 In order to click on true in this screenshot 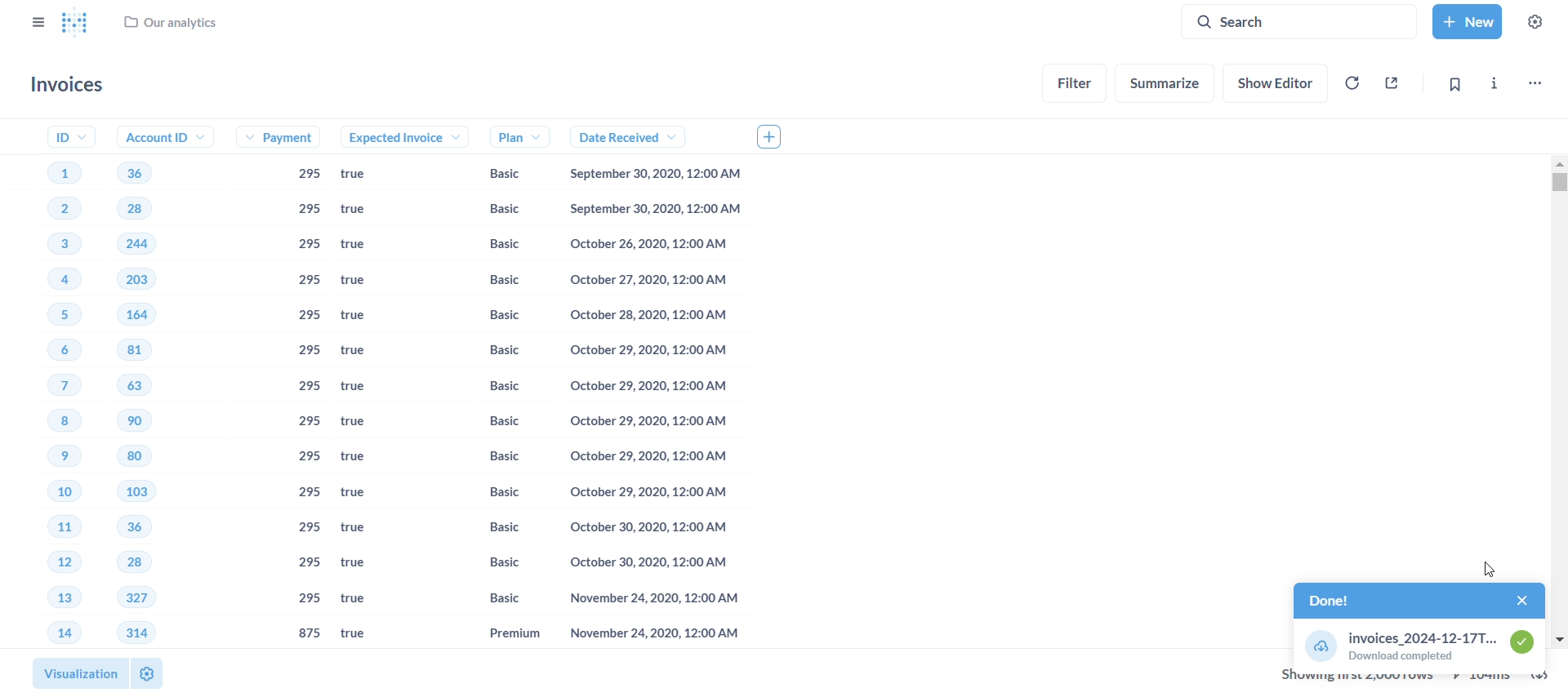, I will do `click(362, 281)`.